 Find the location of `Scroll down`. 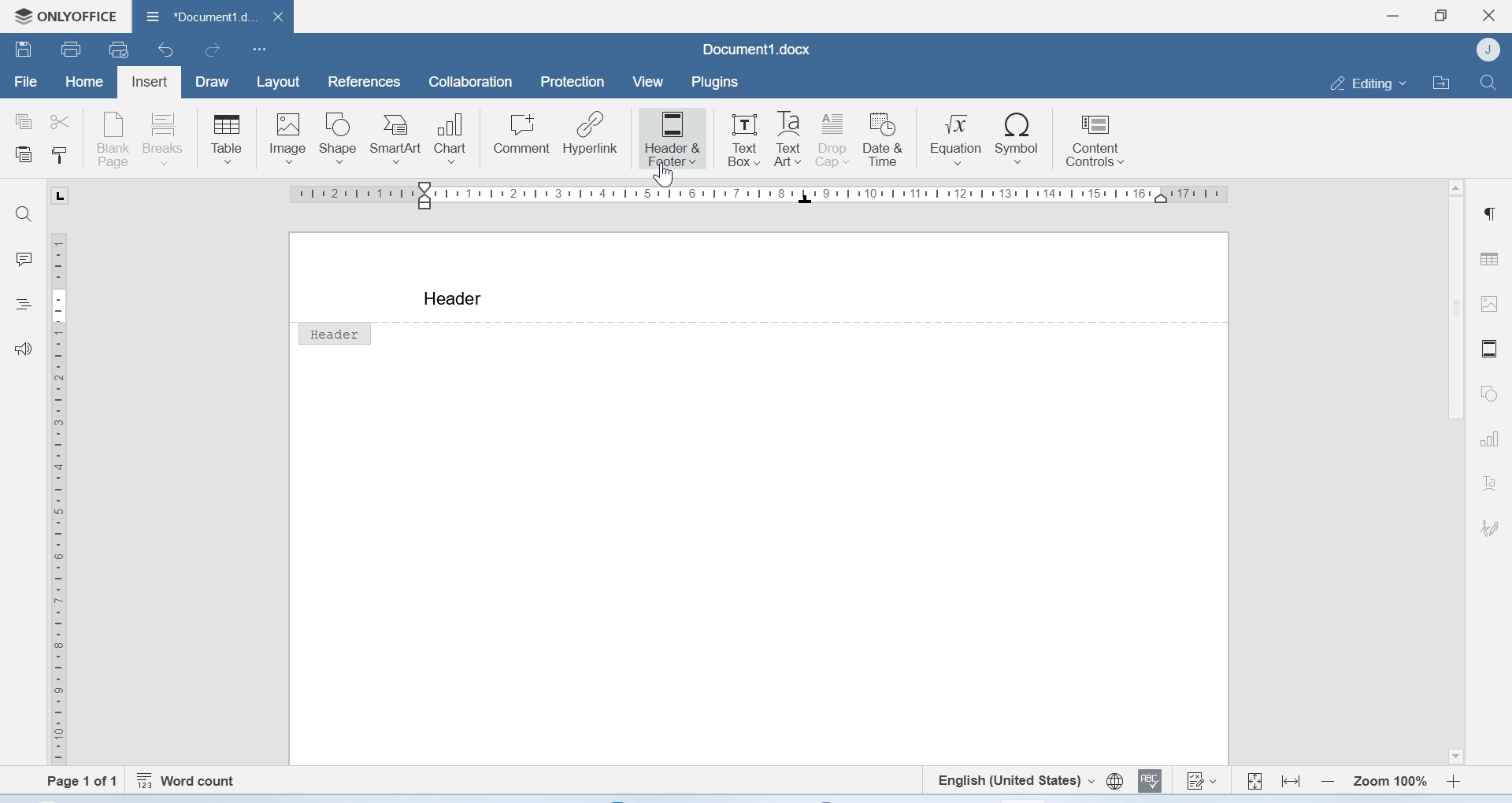

Scroll down is located at coordinates (1454, 757).